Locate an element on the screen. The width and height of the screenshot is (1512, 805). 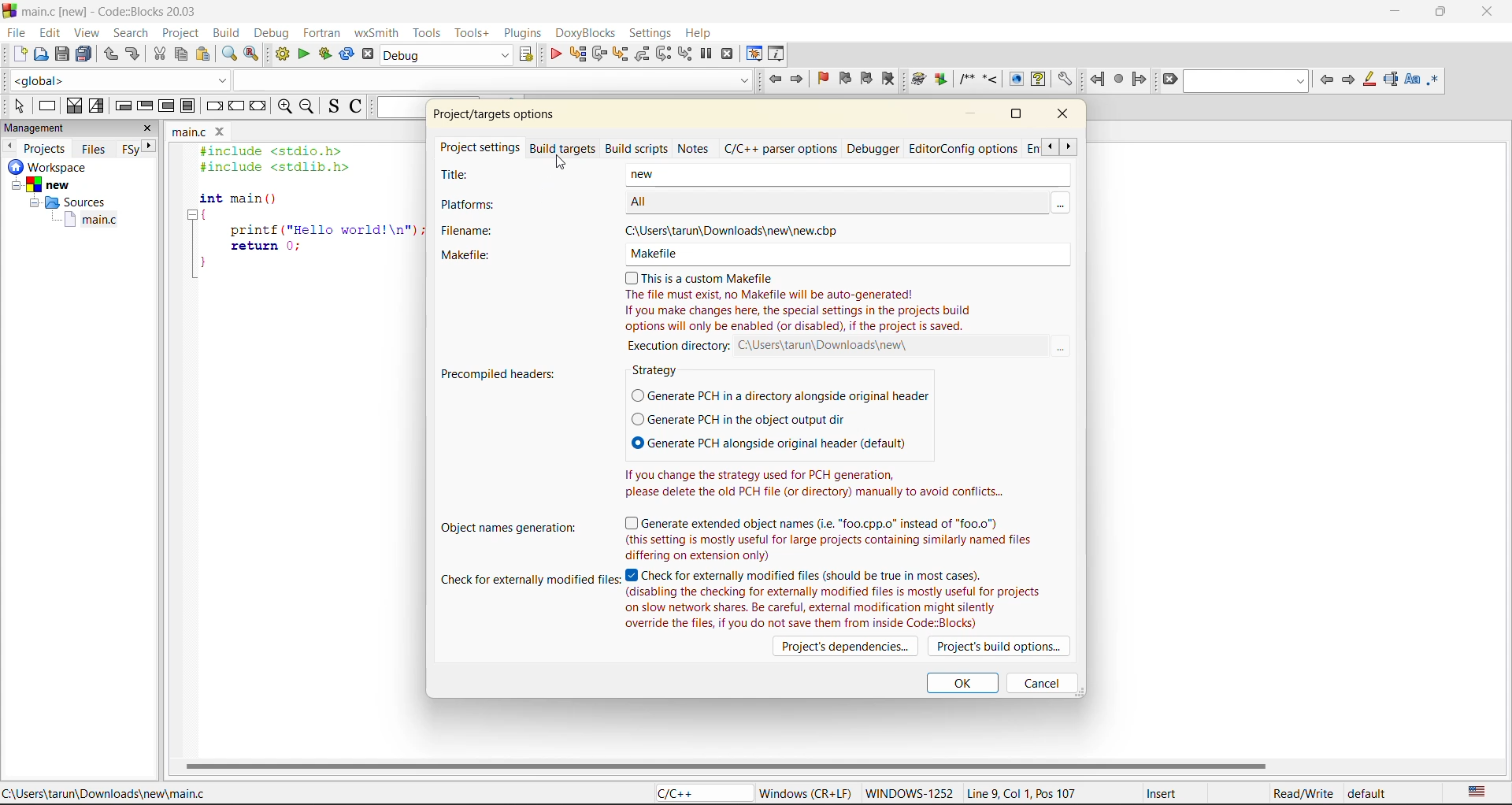
block instruction is located at coordinates (190, 105).